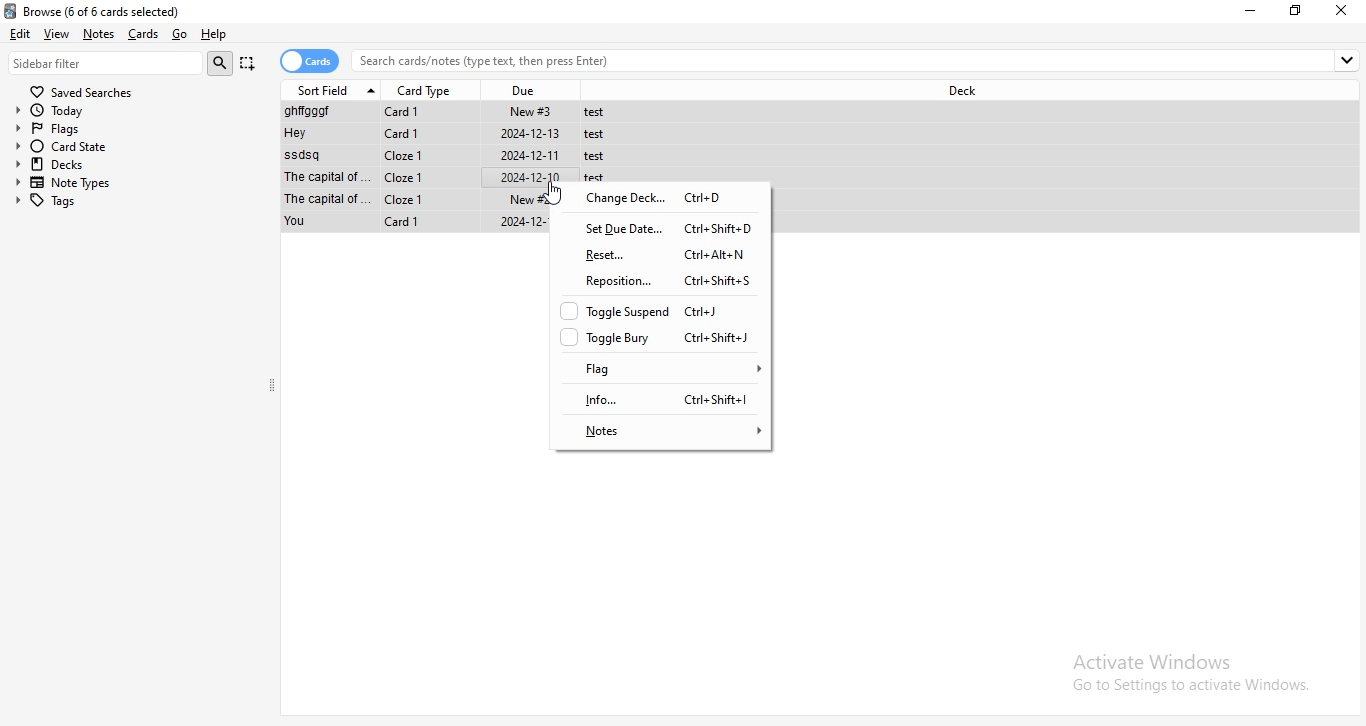 This screenshot has height=726, width=1366. What do you see at coordinates (131, 111) in the screenshot?
I see `today` at bounding box center [131, 111].